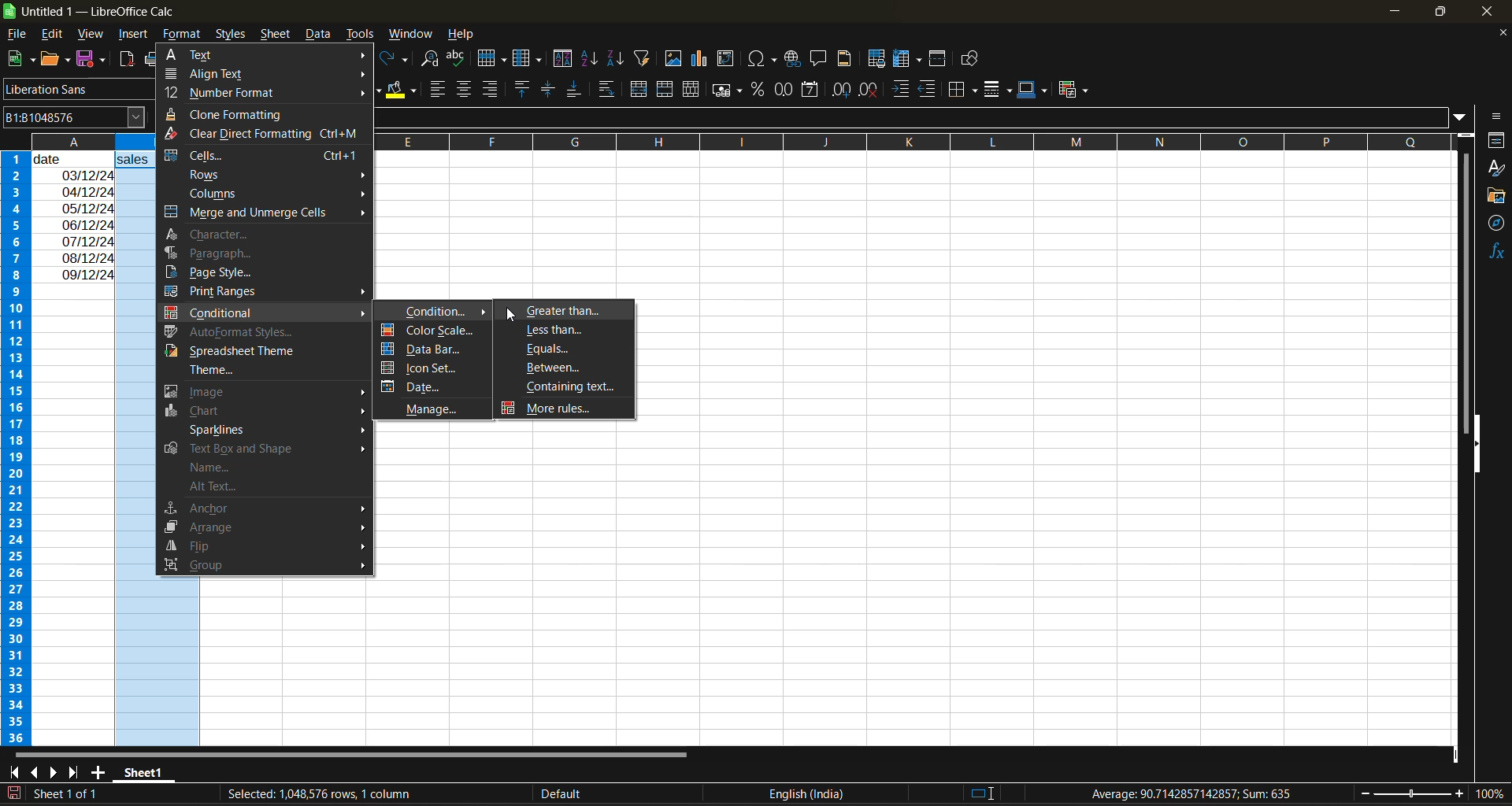  What do you see at coordinates (438, 90) in the screenshot?
I see `align left` at bounding box center [438, 90].